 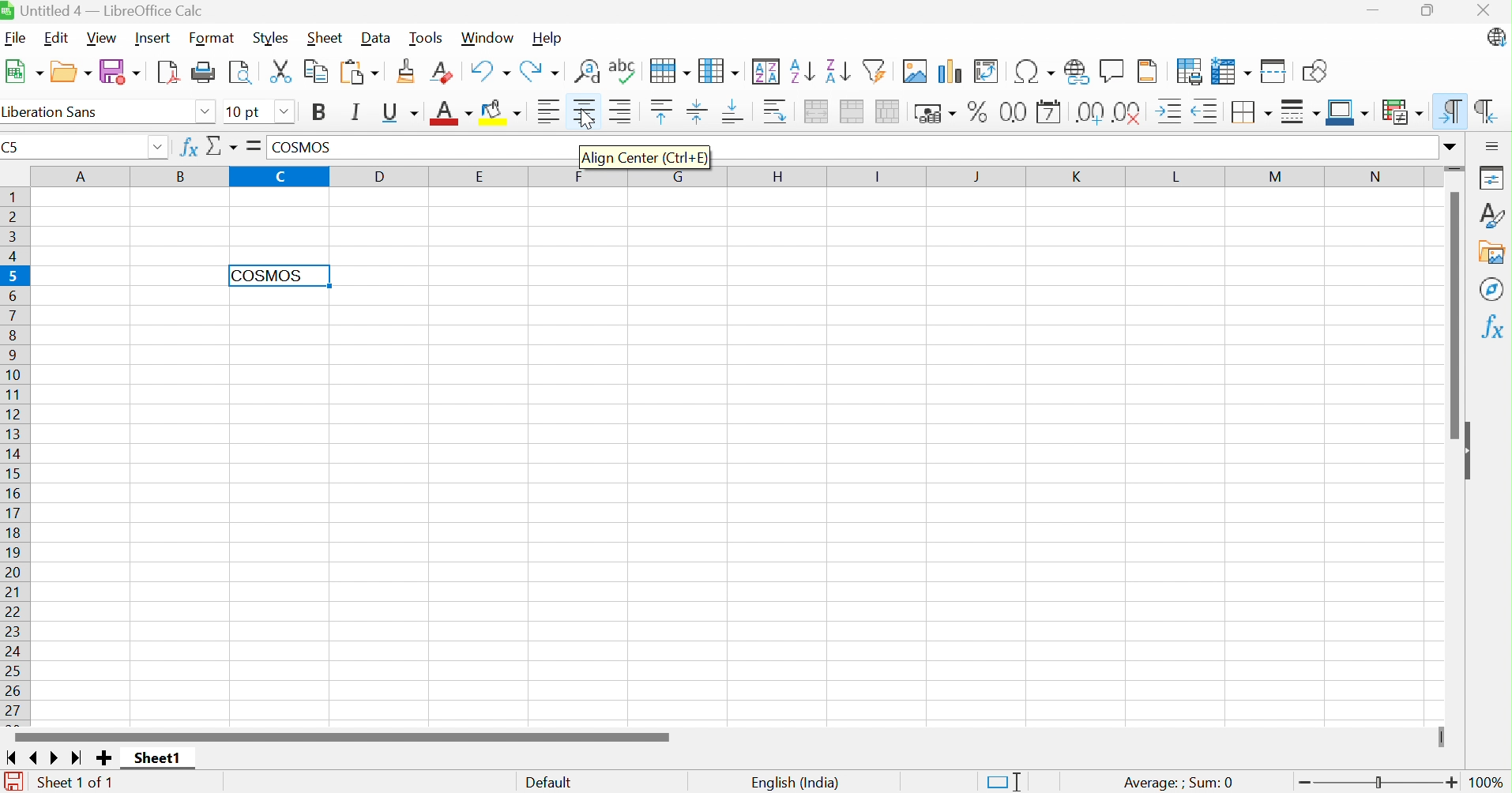 I want to click on Hide, so click(x=1475, y=452).